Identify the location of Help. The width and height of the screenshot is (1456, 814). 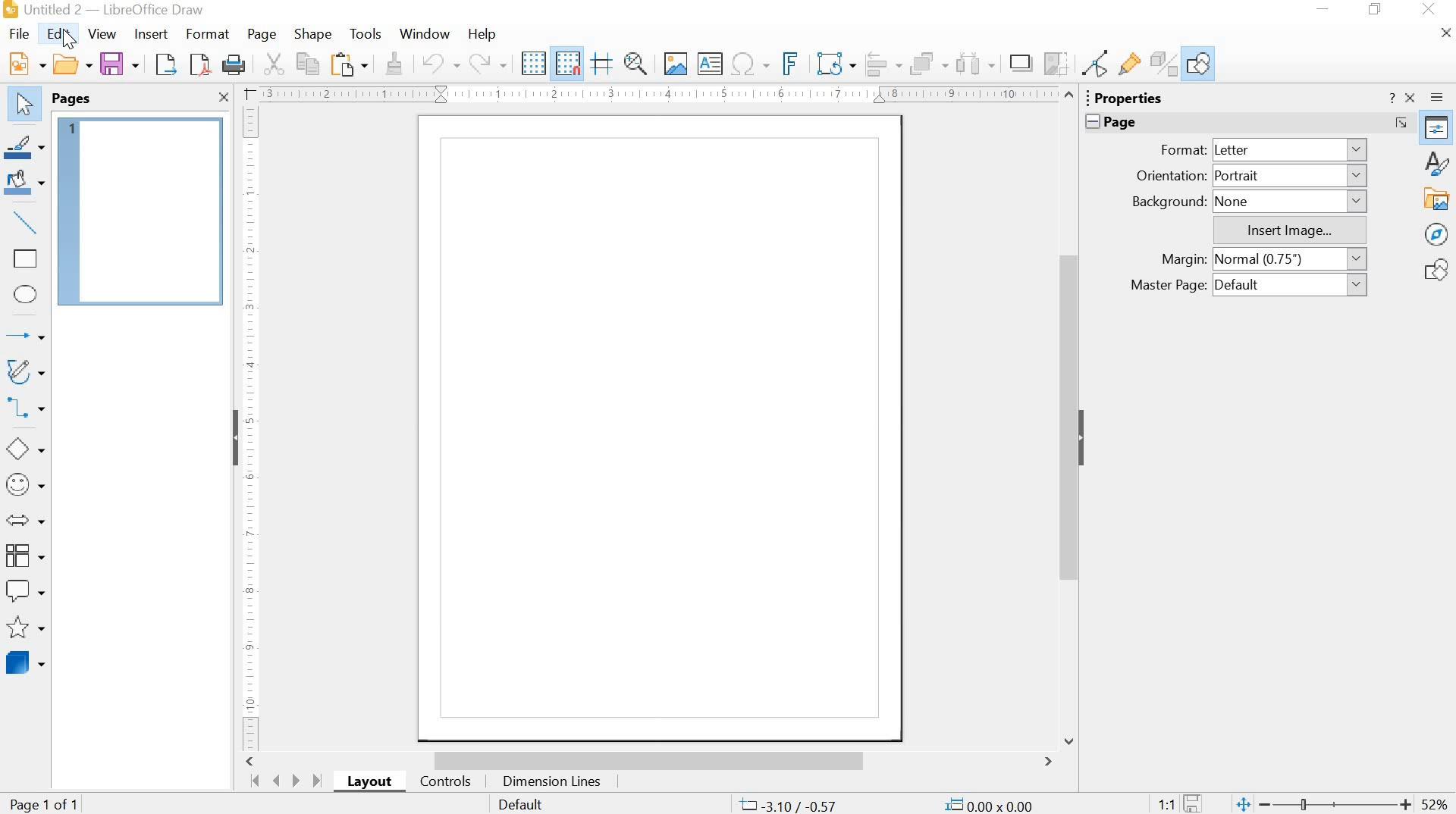
(483, 33).